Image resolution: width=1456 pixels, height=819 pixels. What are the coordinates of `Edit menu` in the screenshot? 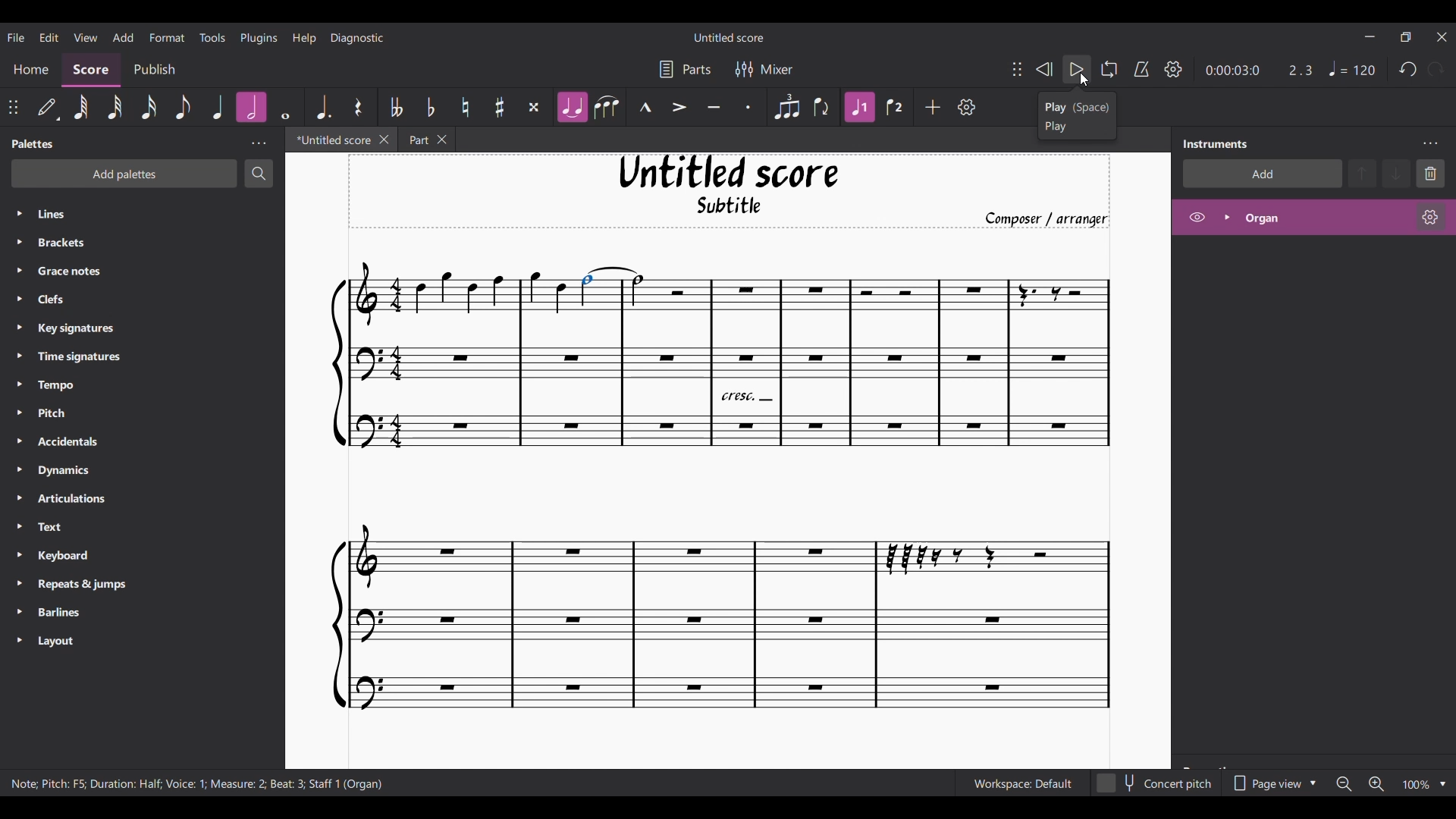 It's located at (49, 36).